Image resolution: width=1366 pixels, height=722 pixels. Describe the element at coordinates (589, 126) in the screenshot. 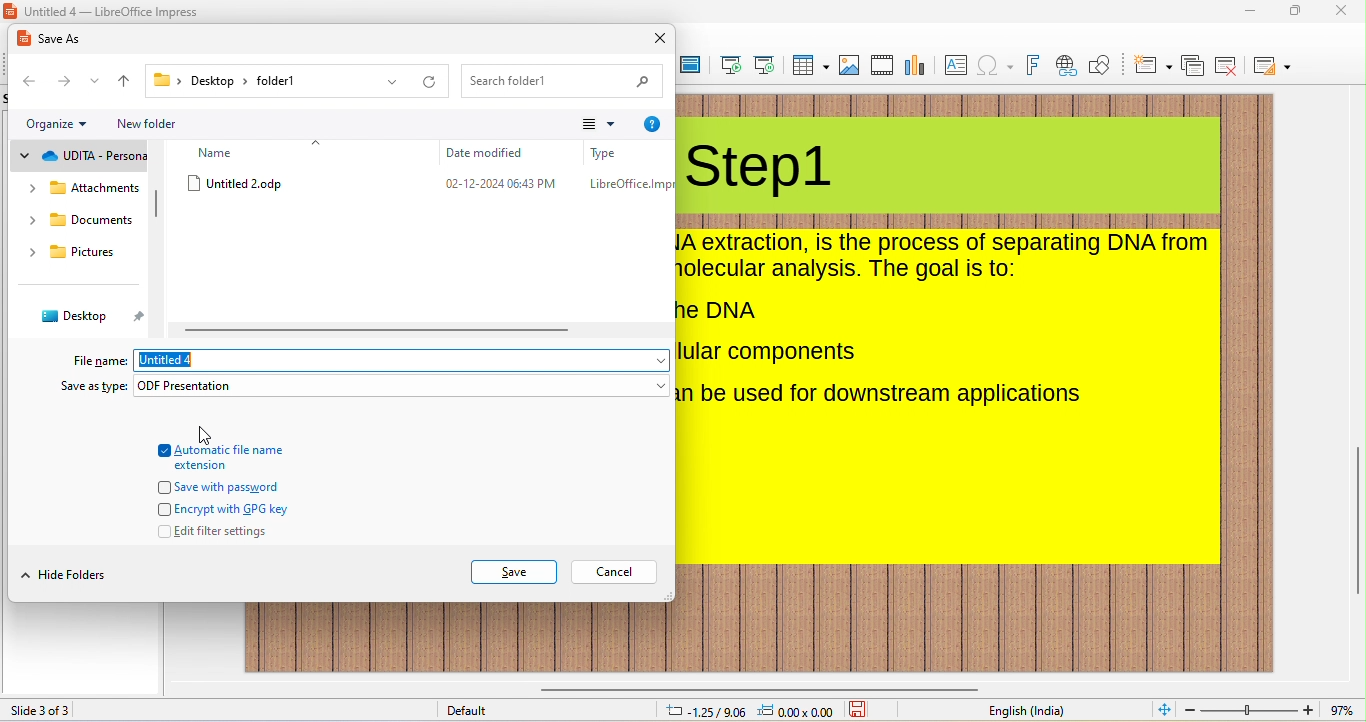

I see `change view` at that location.